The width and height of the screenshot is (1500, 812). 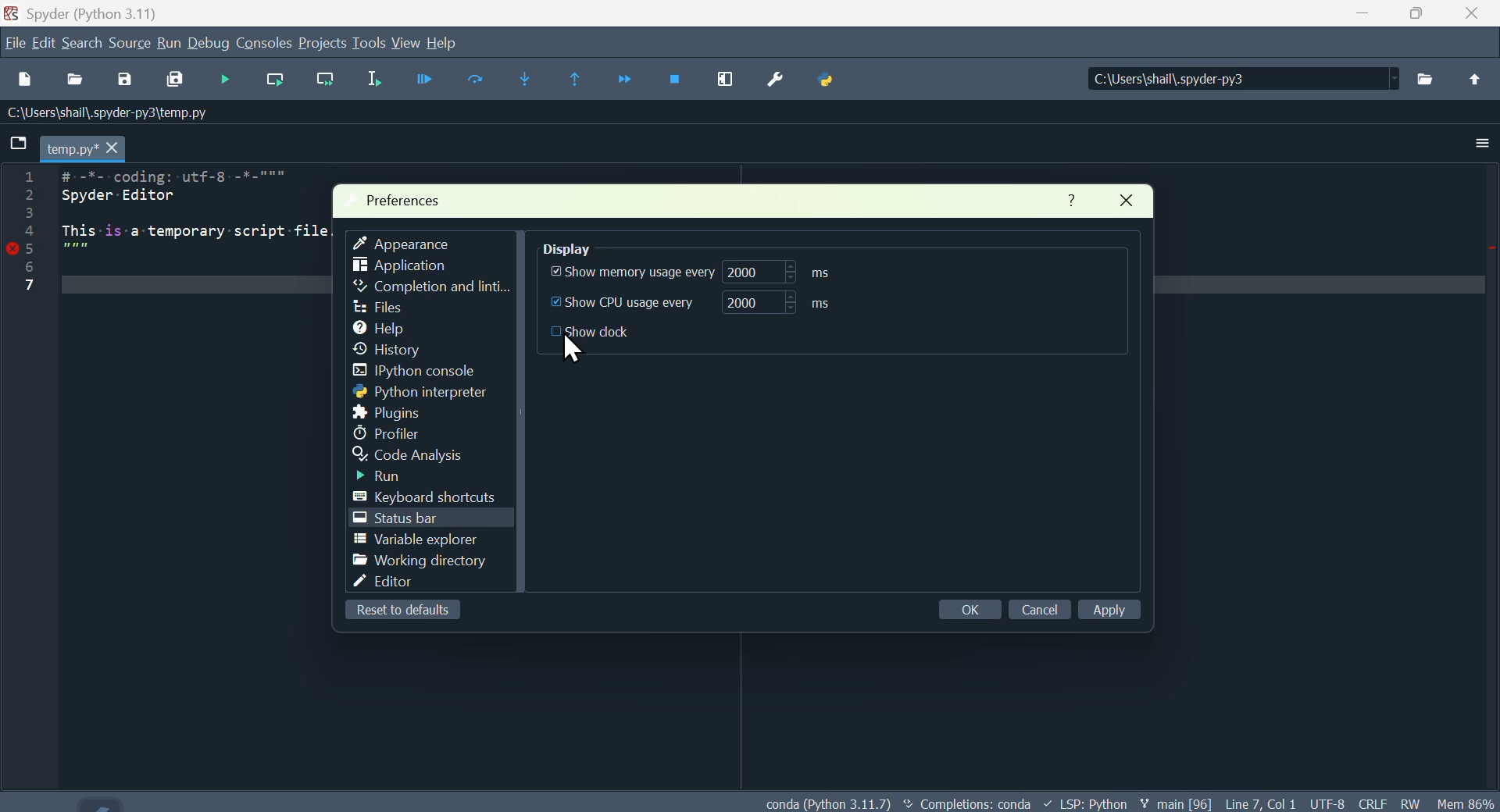 What do you see at coordinates (45, 44) in the screenshot?
I see `` at bounding box center [45, 44].